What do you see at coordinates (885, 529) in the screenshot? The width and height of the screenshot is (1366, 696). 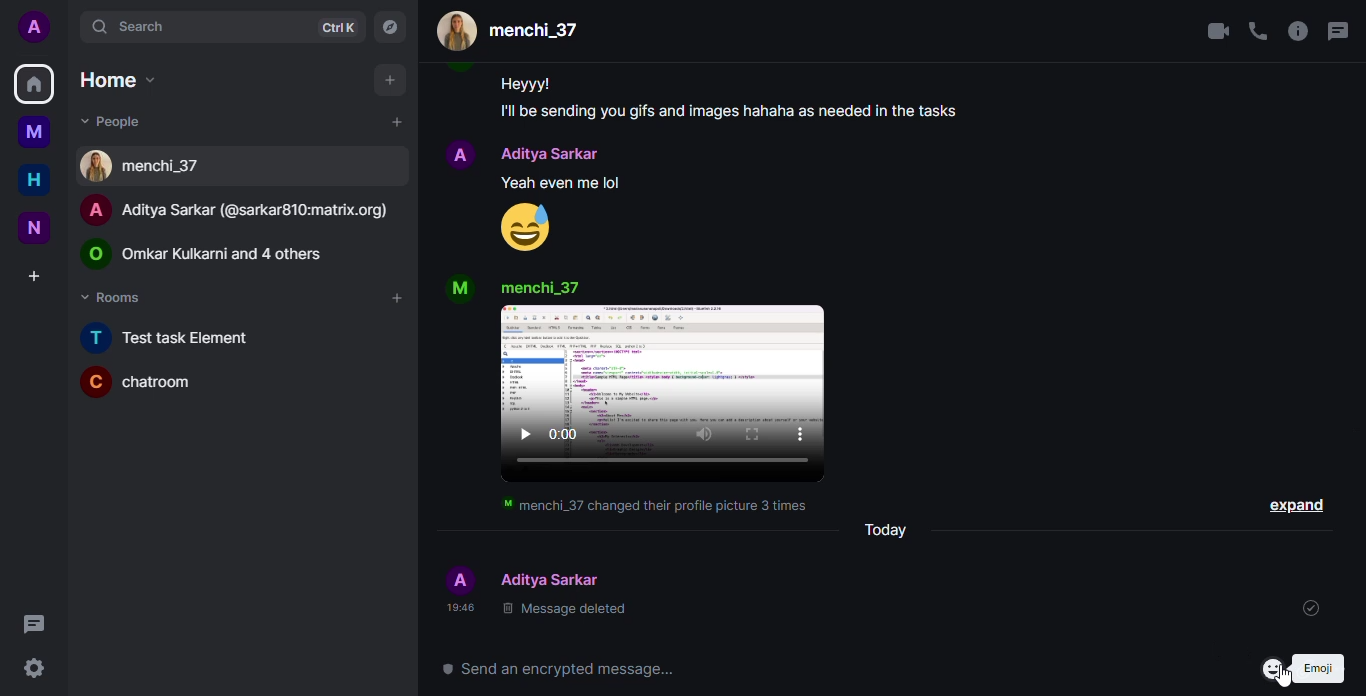 I see `today` at bounding box center [885, 529].